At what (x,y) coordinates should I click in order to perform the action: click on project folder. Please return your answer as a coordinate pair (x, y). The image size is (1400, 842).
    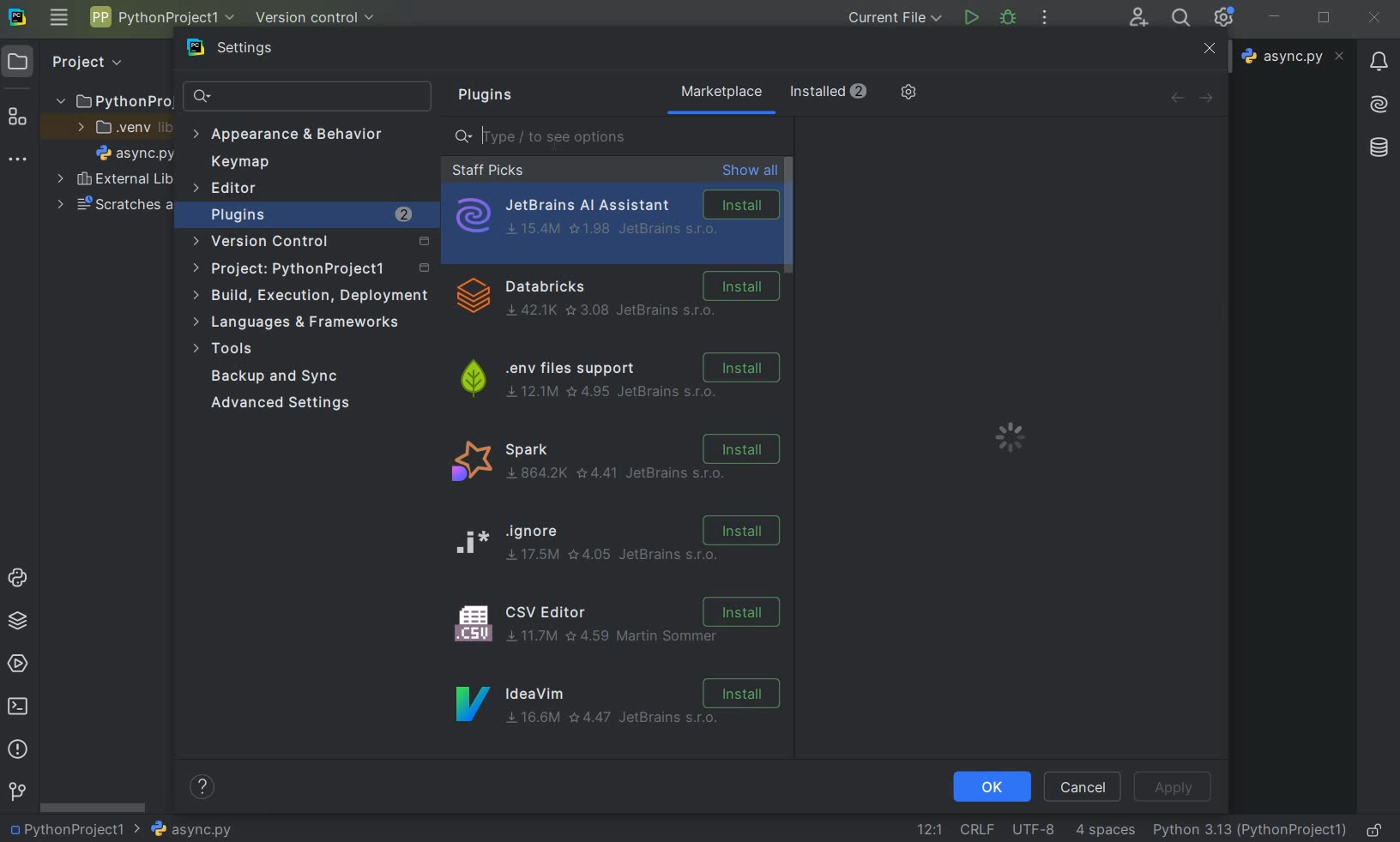
    Looking at the image, I should click on (107, 100).